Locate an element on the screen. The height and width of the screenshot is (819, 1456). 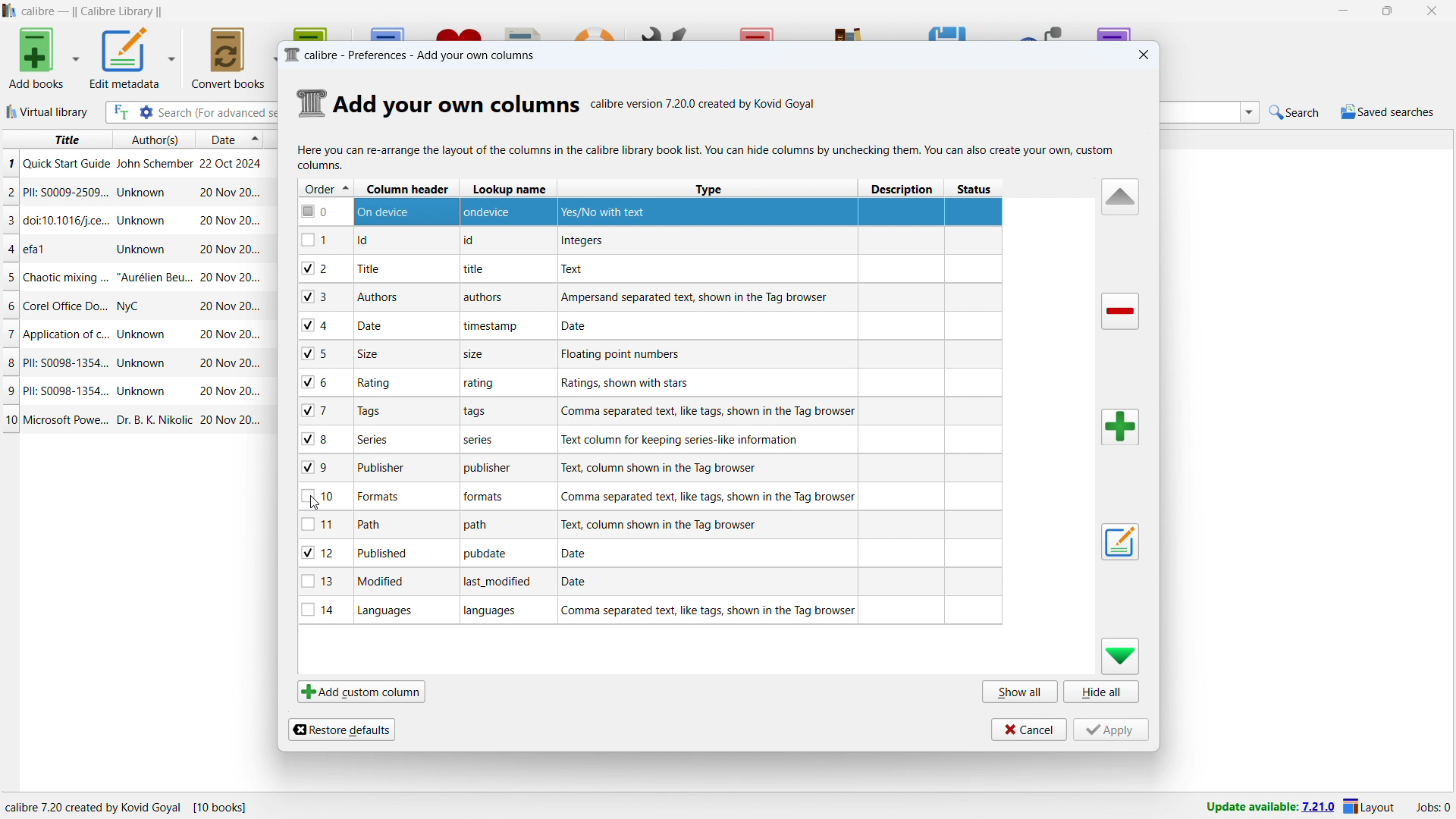
move column up is located at coordinates (1118, 196).